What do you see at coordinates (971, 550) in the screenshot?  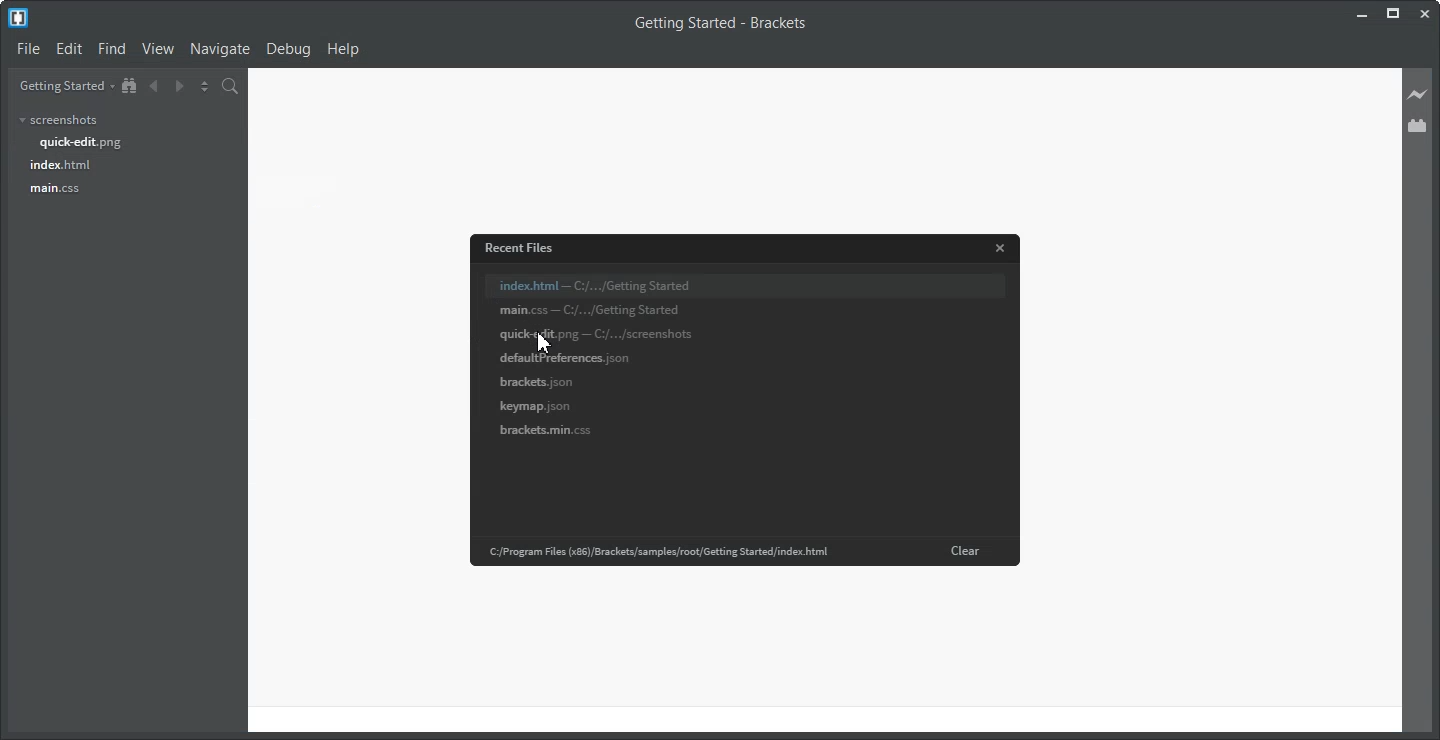 I see `Clear` at bounding box center [971, 550].